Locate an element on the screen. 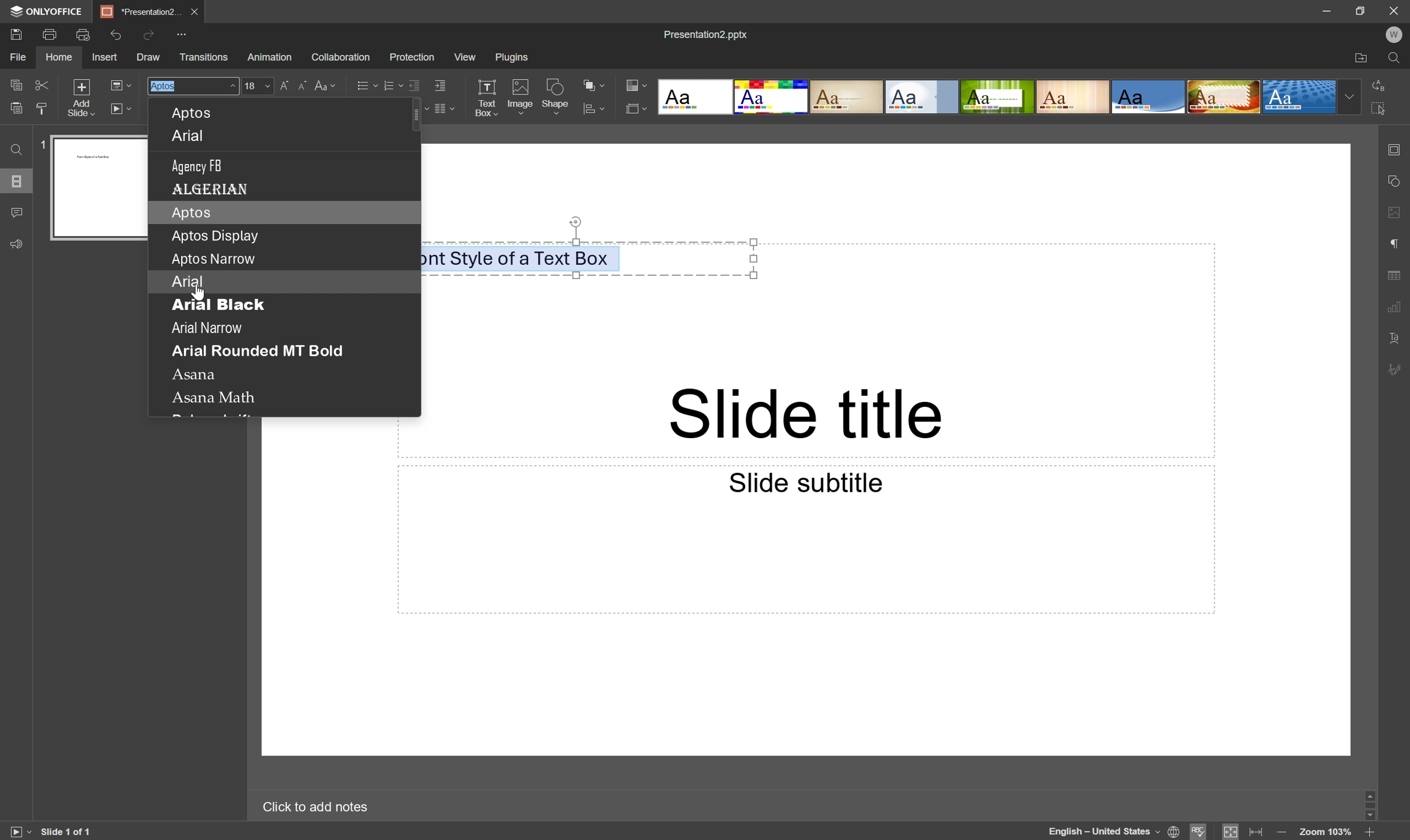  Find is located at coordinates (17, 148).